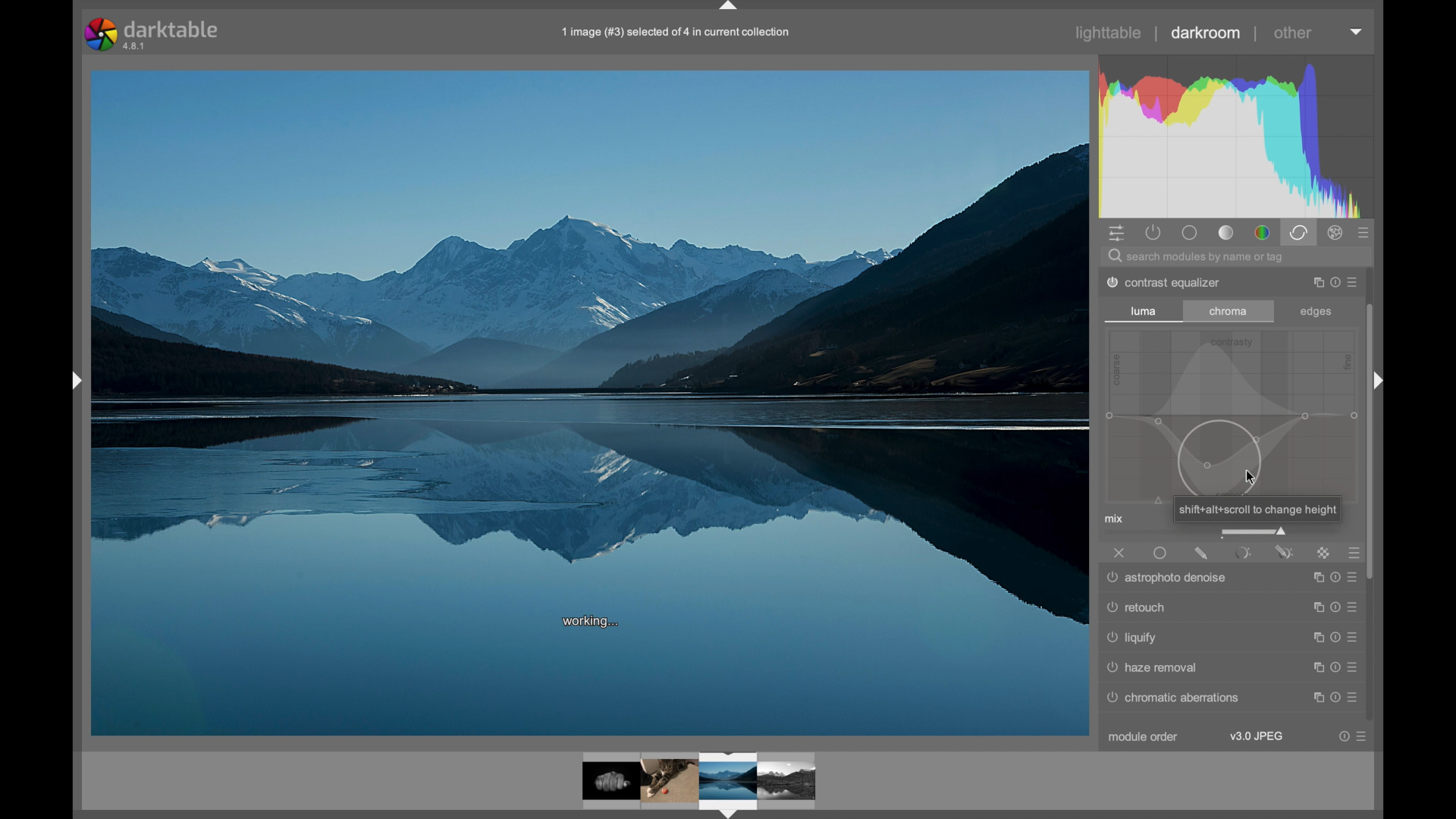 The height and width of the screenshot is (819, 1456). What do you see at coordinates (1262, 232) in the screenshot?
I see `color` at bounding box center [1262, 232].